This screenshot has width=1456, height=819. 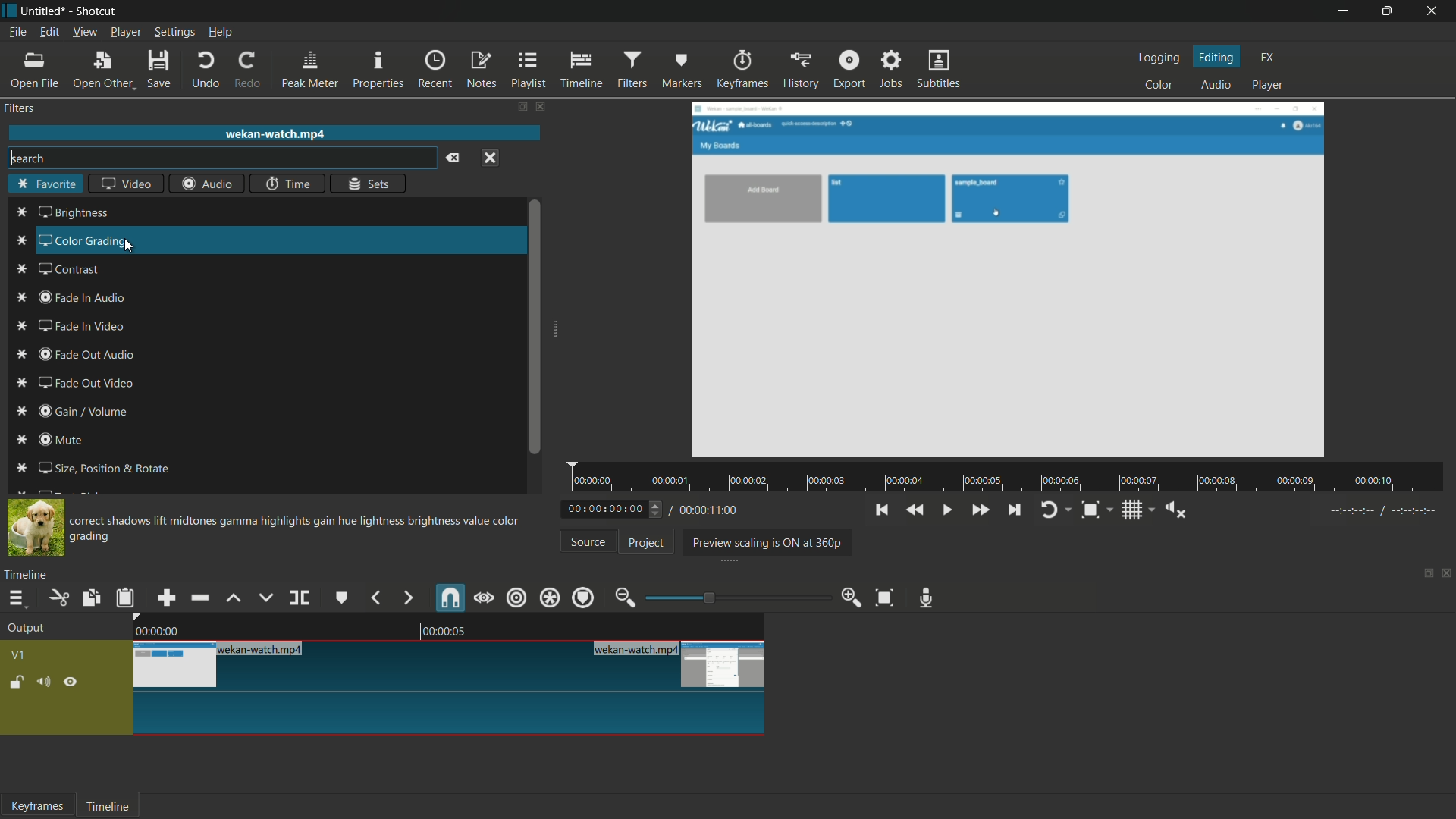 I want to click on copy, so click(x=89, y=598).